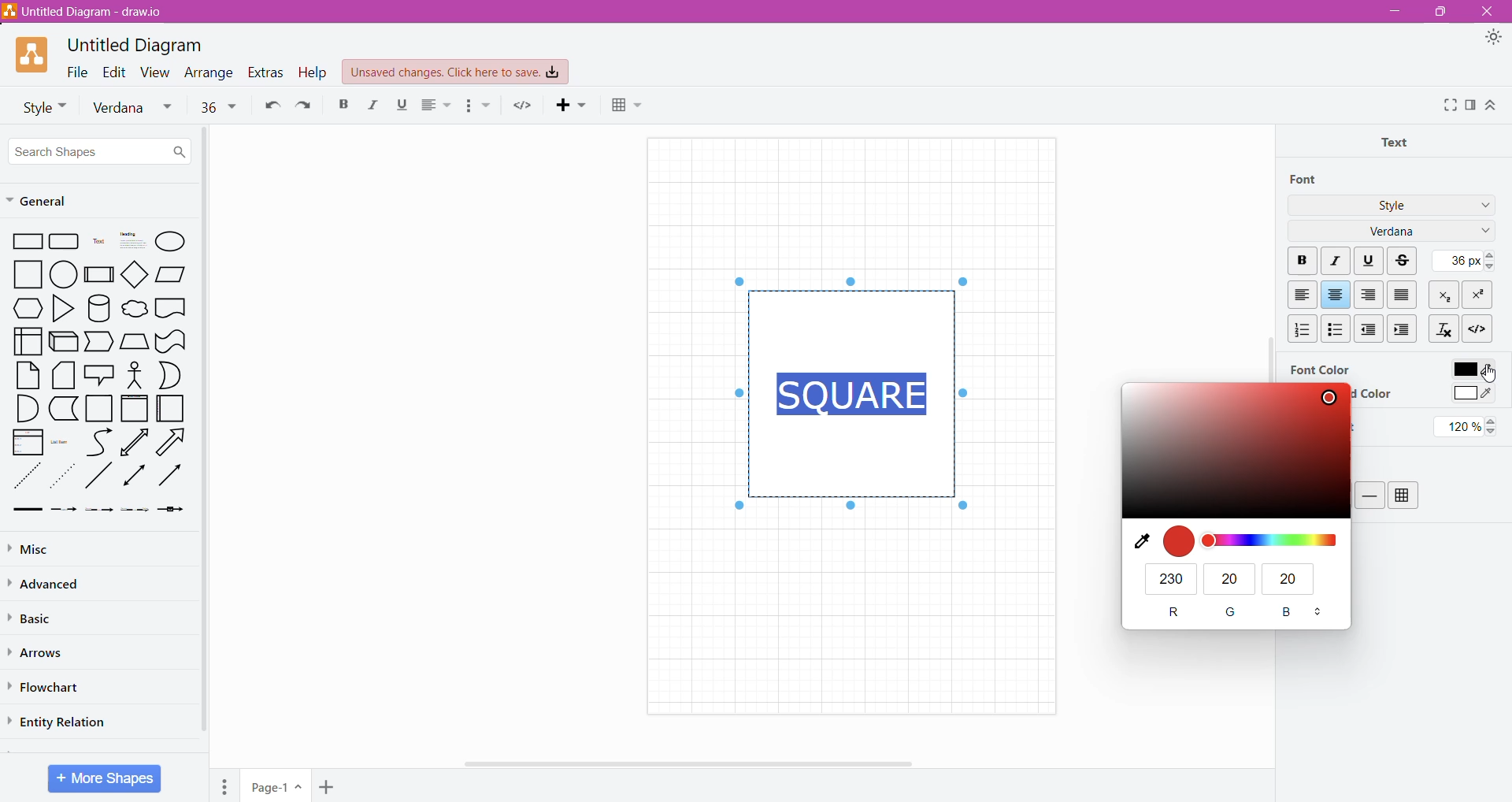  What do you see at coordinates (1337, 262) in the screenshot?
I see `Italic` at bounding box center [1337, 262].